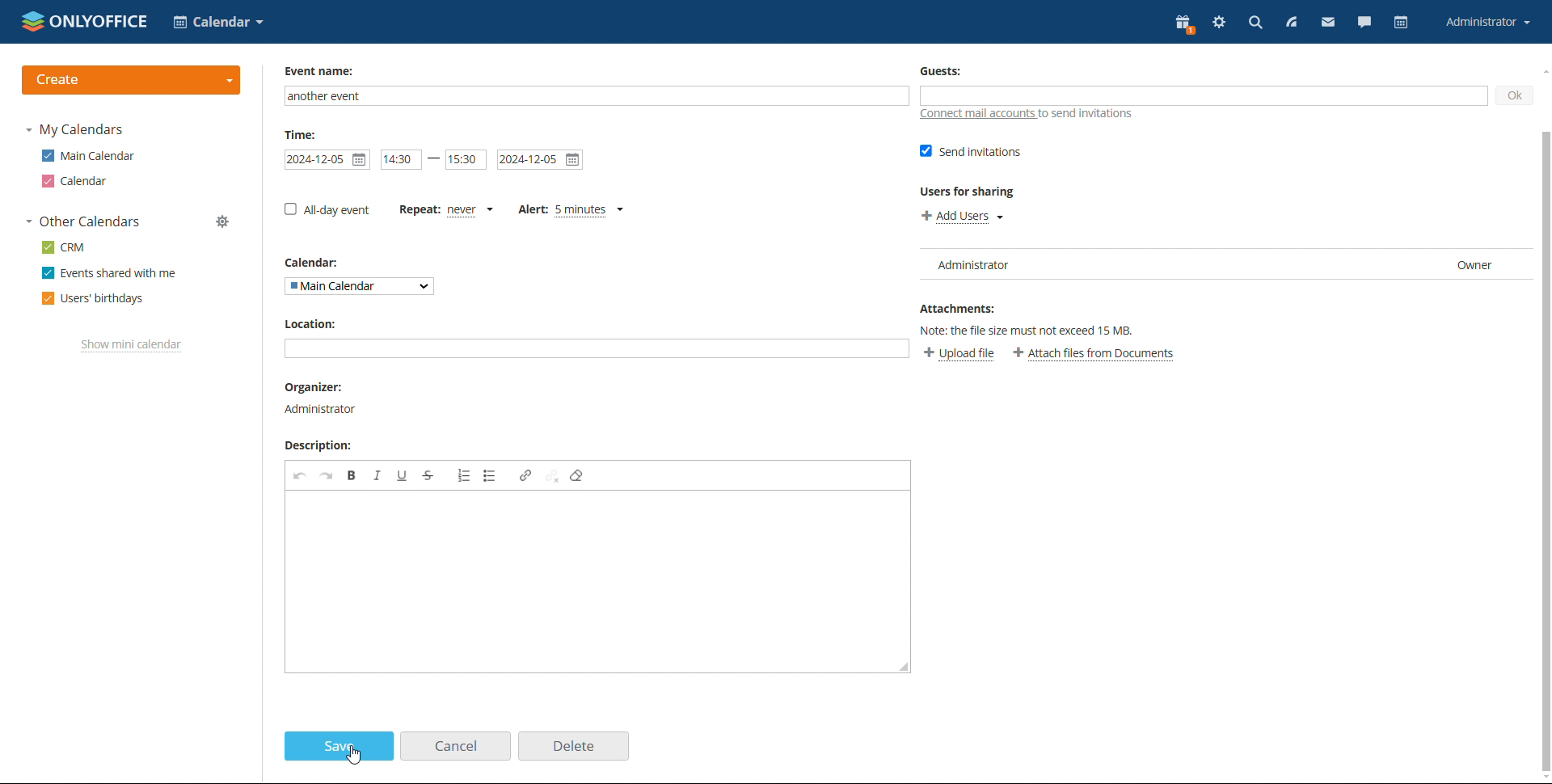 The height and width of the screenshot is (784, 1552). Describe the element at coordinates (82, 222) in the screenshot. I see `other calendars` at that location.